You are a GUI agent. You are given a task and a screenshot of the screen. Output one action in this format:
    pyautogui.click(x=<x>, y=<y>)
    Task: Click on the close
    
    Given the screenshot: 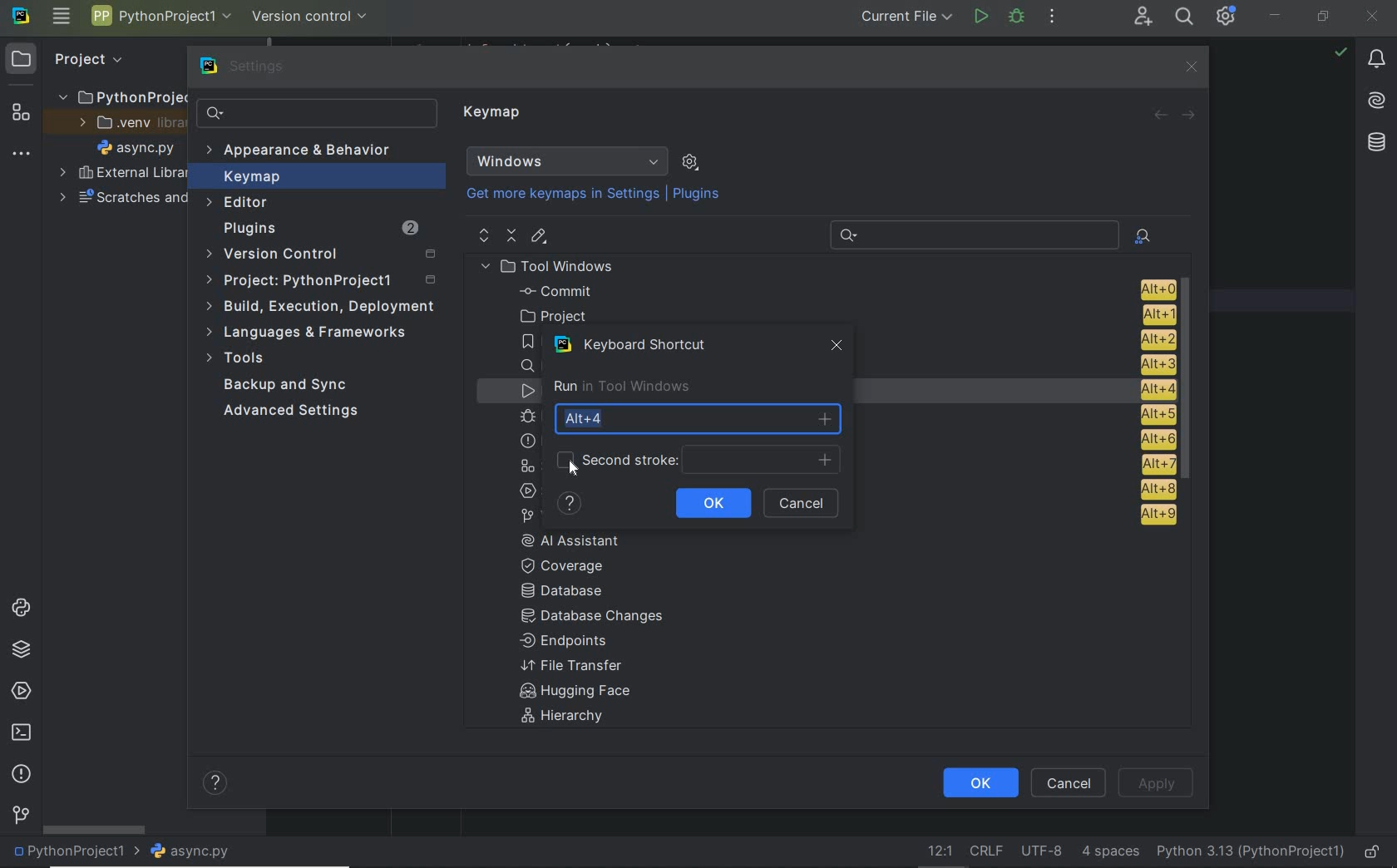 What is the action you would take?
    pyautogui.click(x=1190, y=67)
    